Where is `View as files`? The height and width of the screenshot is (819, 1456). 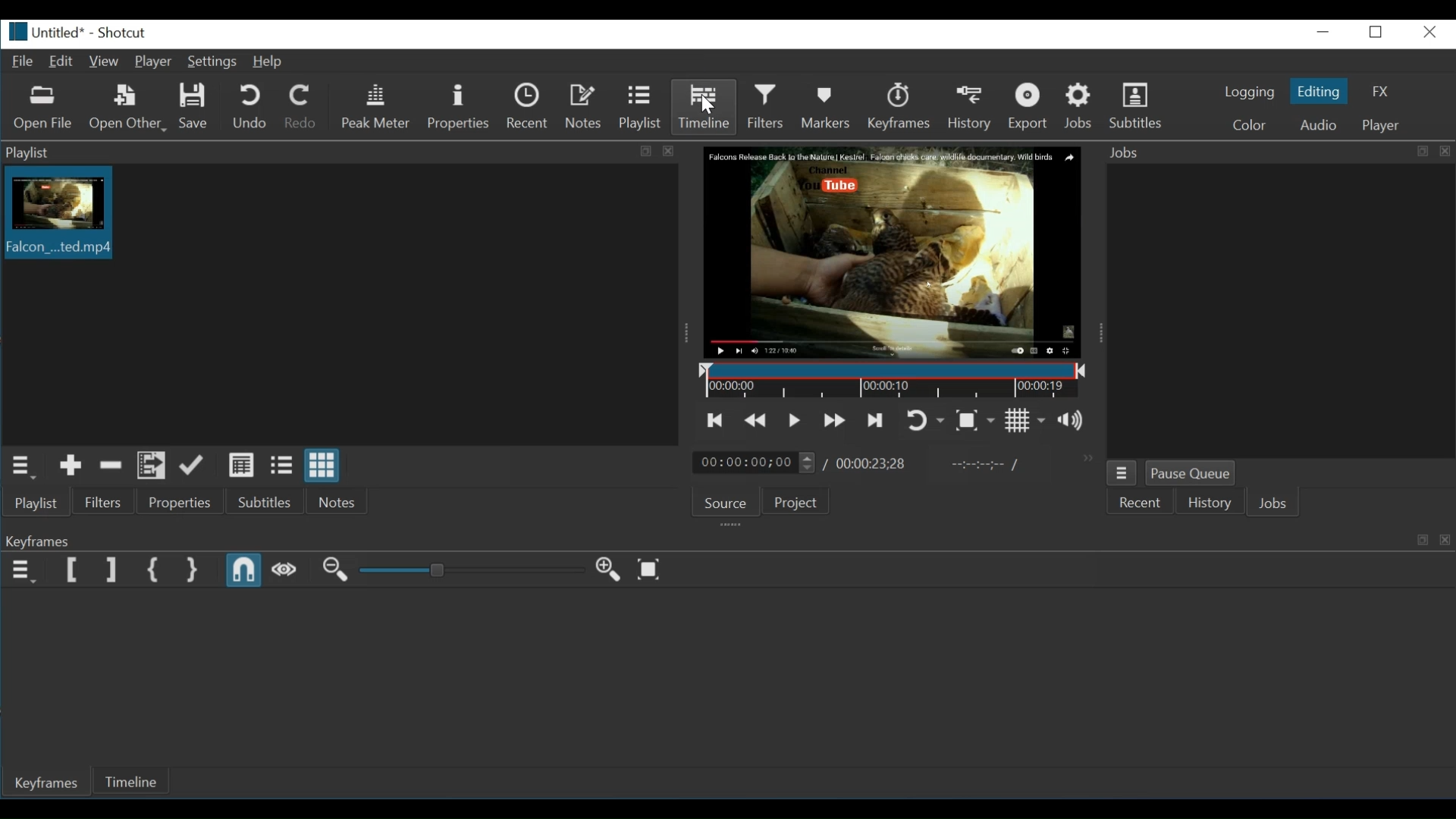 View as files is located at coordinates (281, 466).